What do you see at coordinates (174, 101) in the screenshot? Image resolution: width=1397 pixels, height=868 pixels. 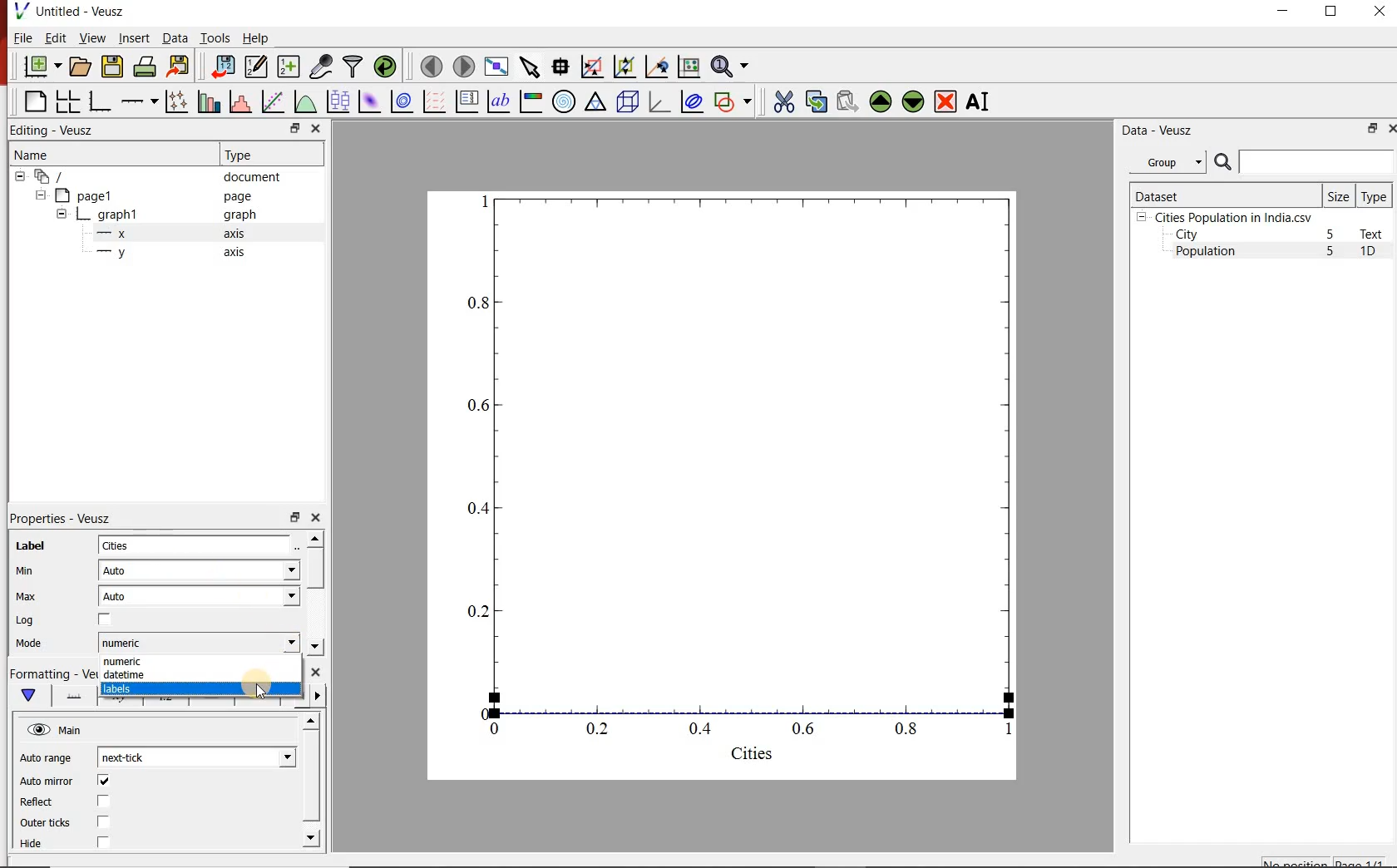 I see `plot points with lines and errorbars` at bounding box center [174, 101].